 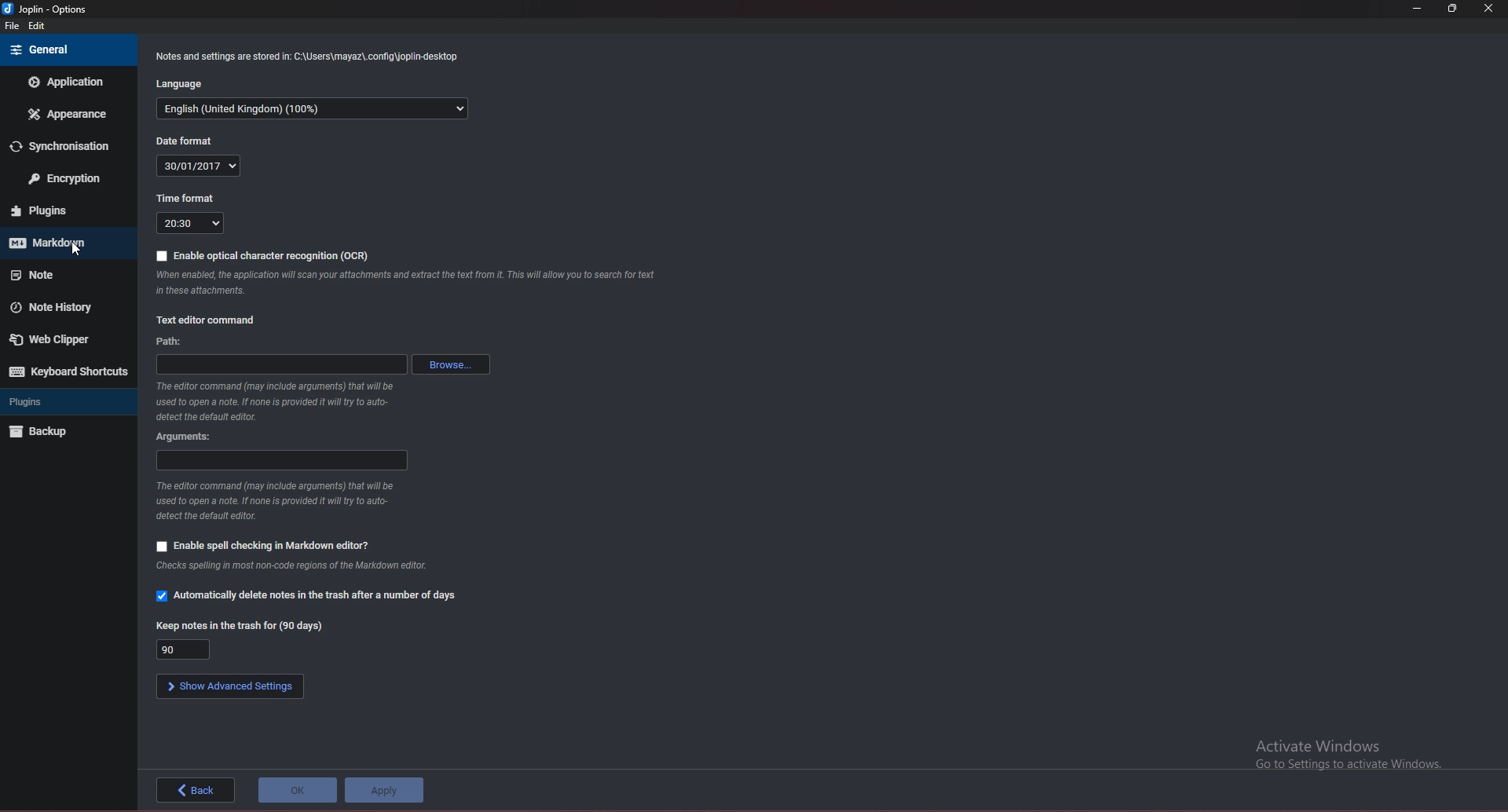 I want to click on browse, so click(x=455, y=365).